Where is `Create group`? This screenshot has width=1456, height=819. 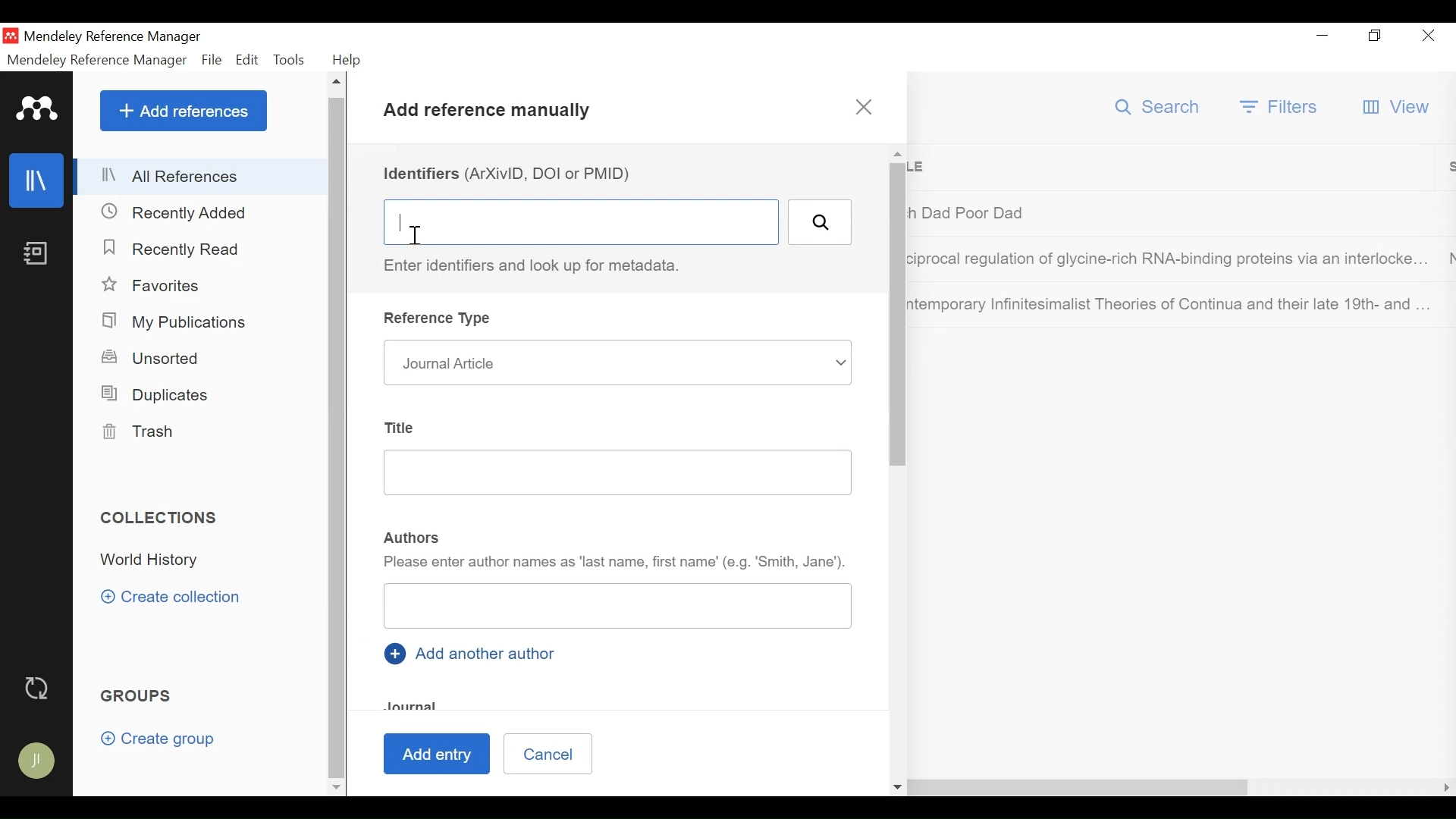 Create group is located at coordinates (161, 739).